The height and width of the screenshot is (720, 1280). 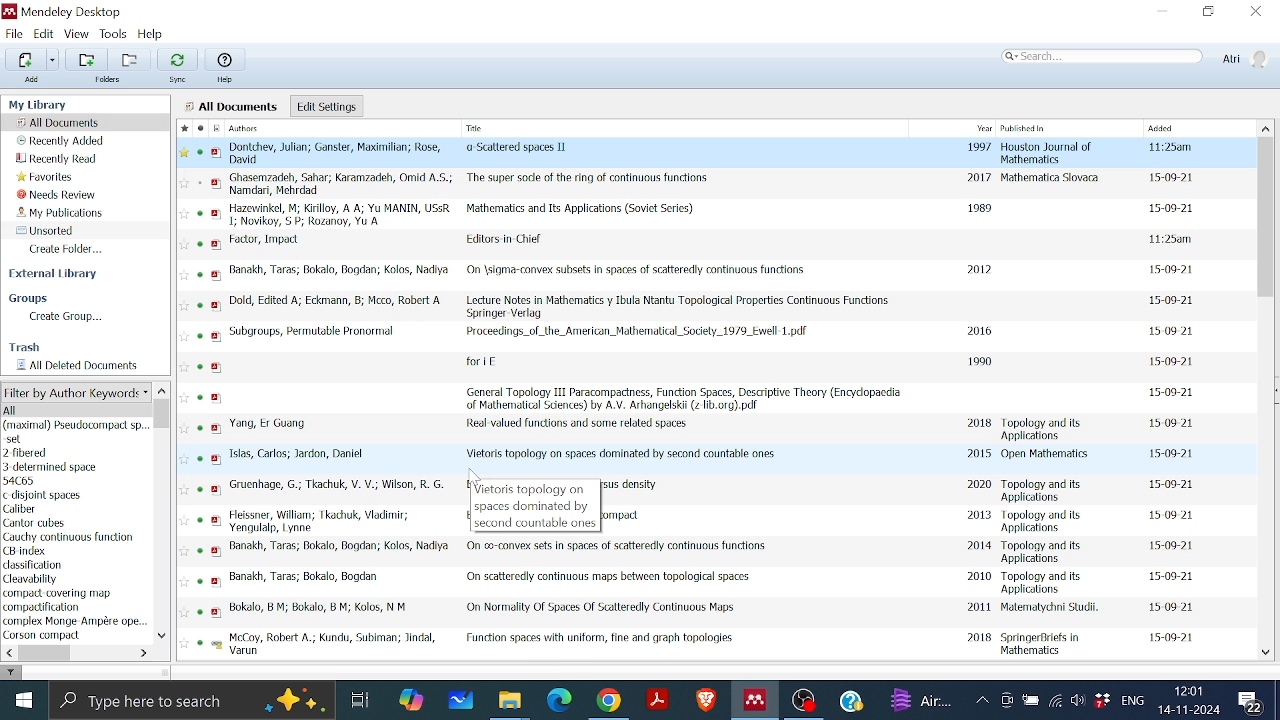 What do you see at coordinates (1024, 127) in the screenshot?
I see `Published in` at bounding box center [1024, 127].